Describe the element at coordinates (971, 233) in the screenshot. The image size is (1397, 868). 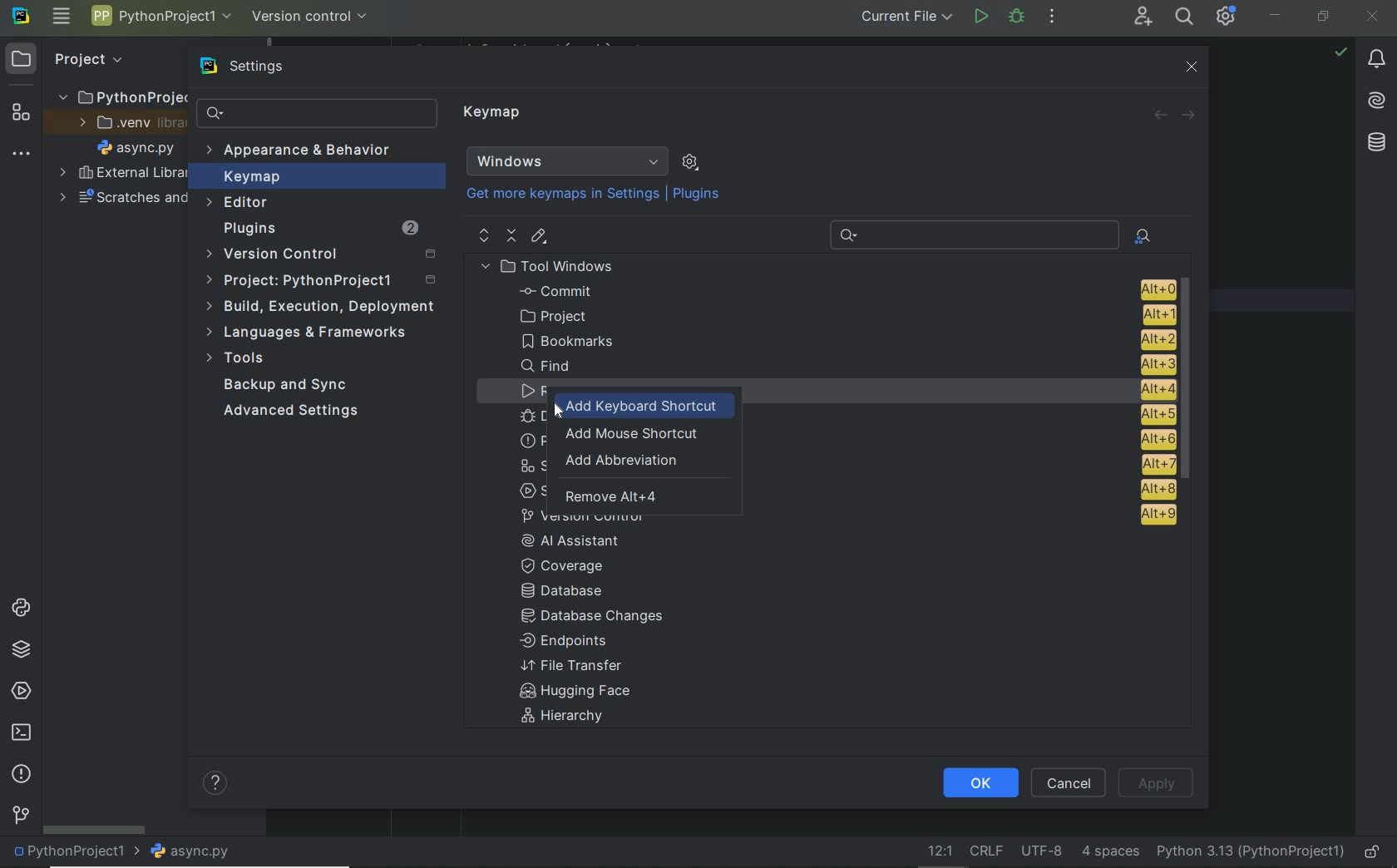
I see `Recent Search` at that location.